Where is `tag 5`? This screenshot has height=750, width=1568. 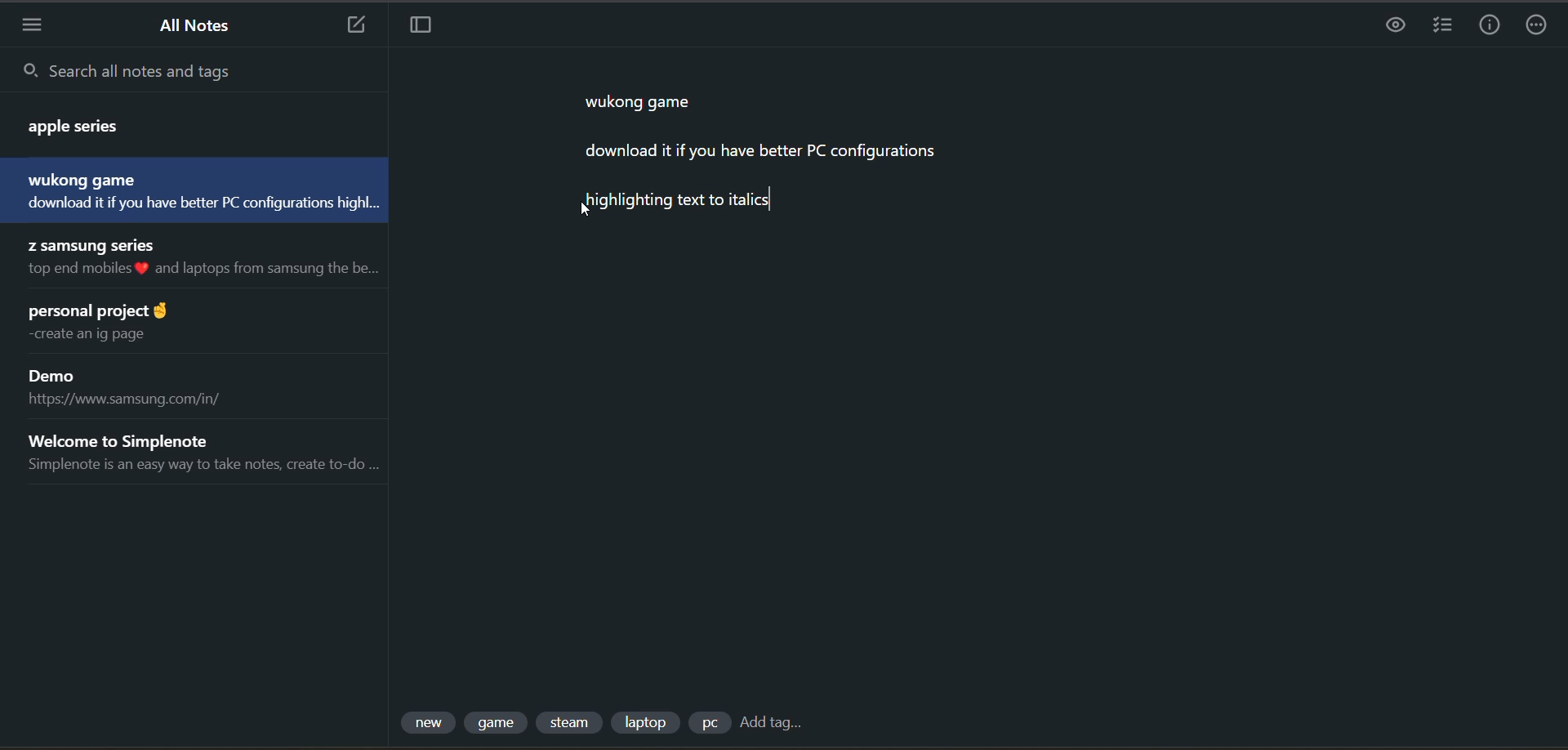 tag 5 is located at coordinates (708, 723).